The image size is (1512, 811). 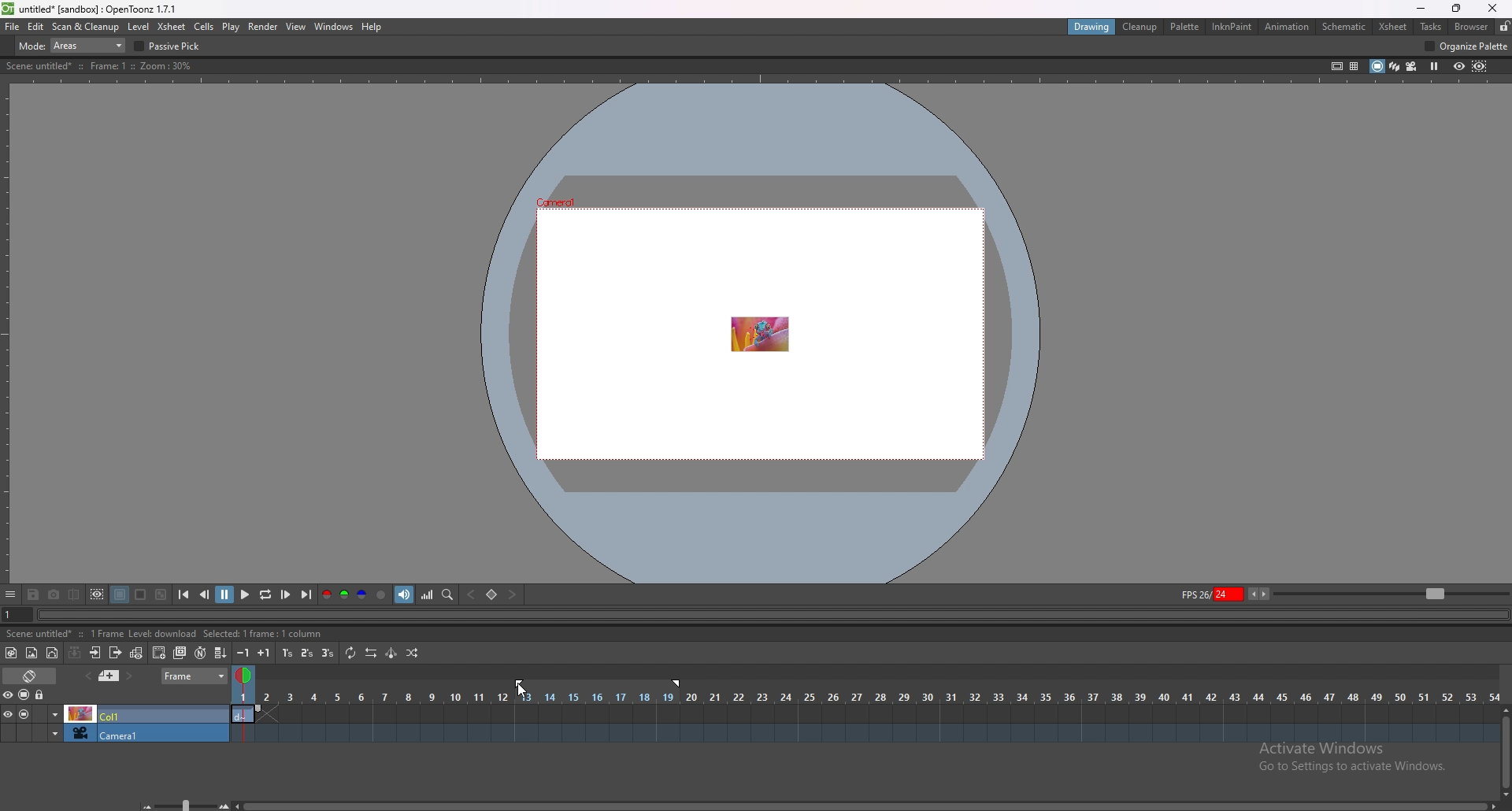 What do you see at coordinates (1393, 28) in the screenshot?
I see `xsheet` at bounding box center [1393, 28].